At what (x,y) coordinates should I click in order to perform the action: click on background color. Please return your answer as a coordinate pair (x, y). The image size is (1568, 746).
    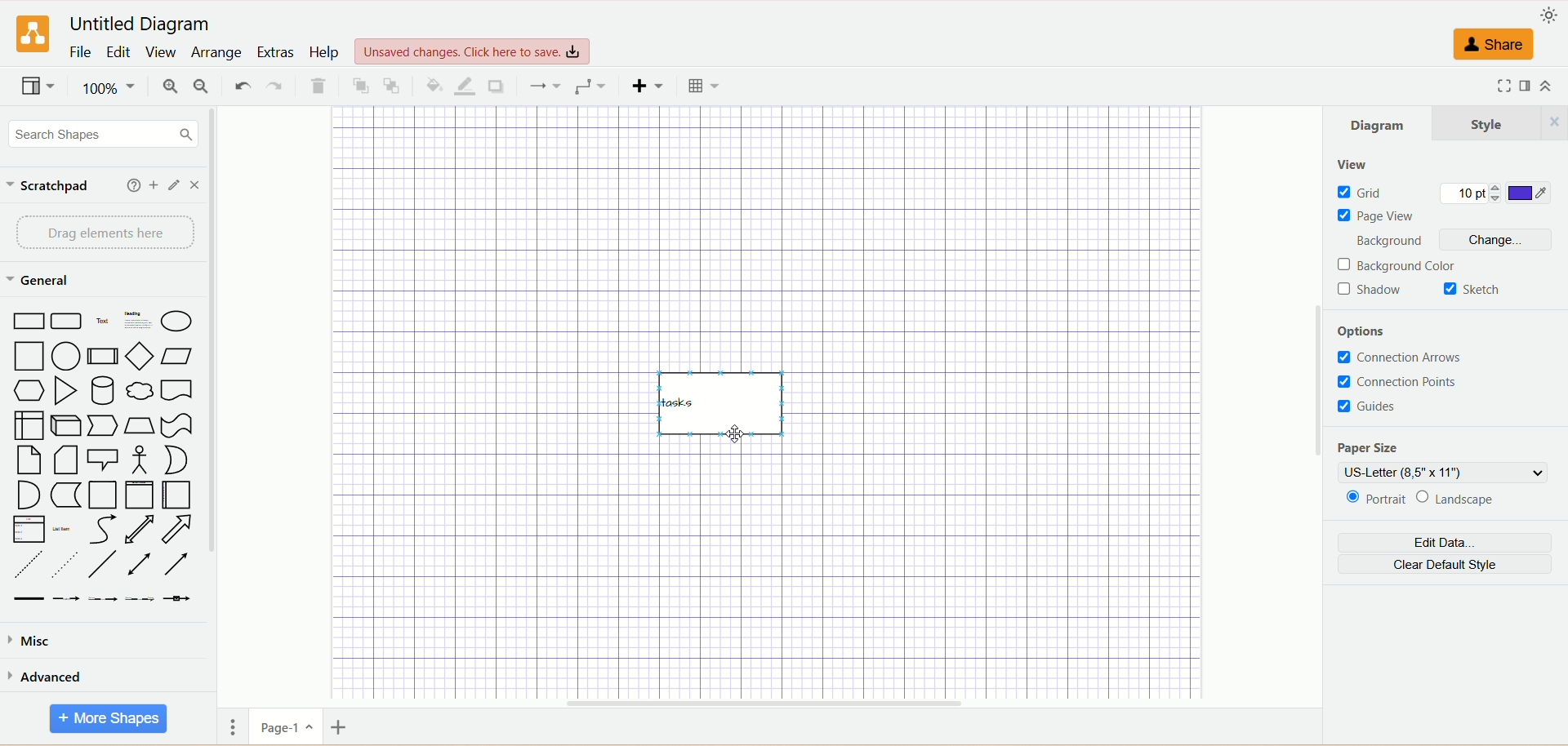
    Looking at the image, I should click on (1399, 266).